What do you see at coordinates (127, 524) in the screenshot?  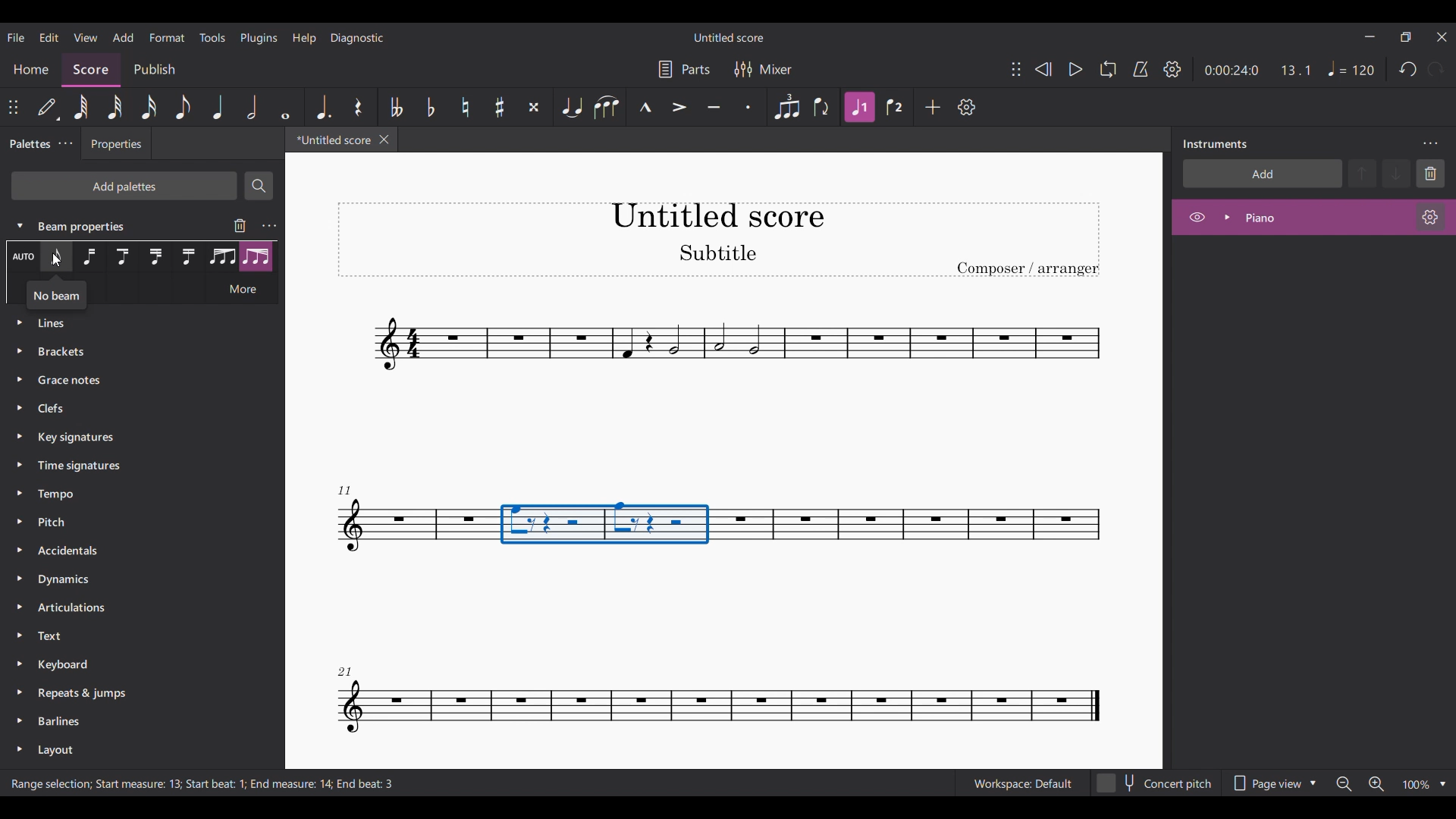 I see `Pitch` at bounding box center [127, 524].